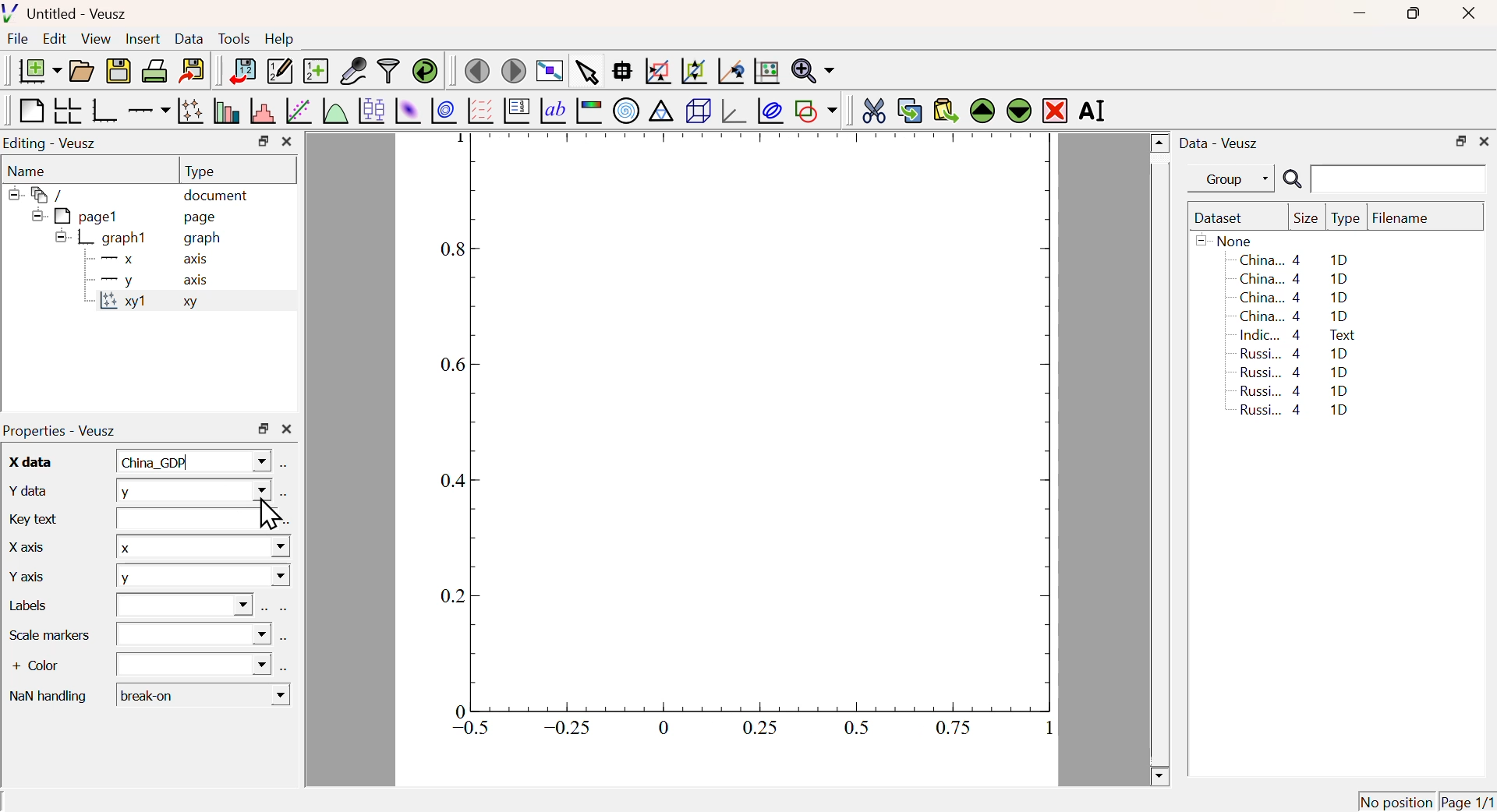  I want to click on Y, so click(203, 578).